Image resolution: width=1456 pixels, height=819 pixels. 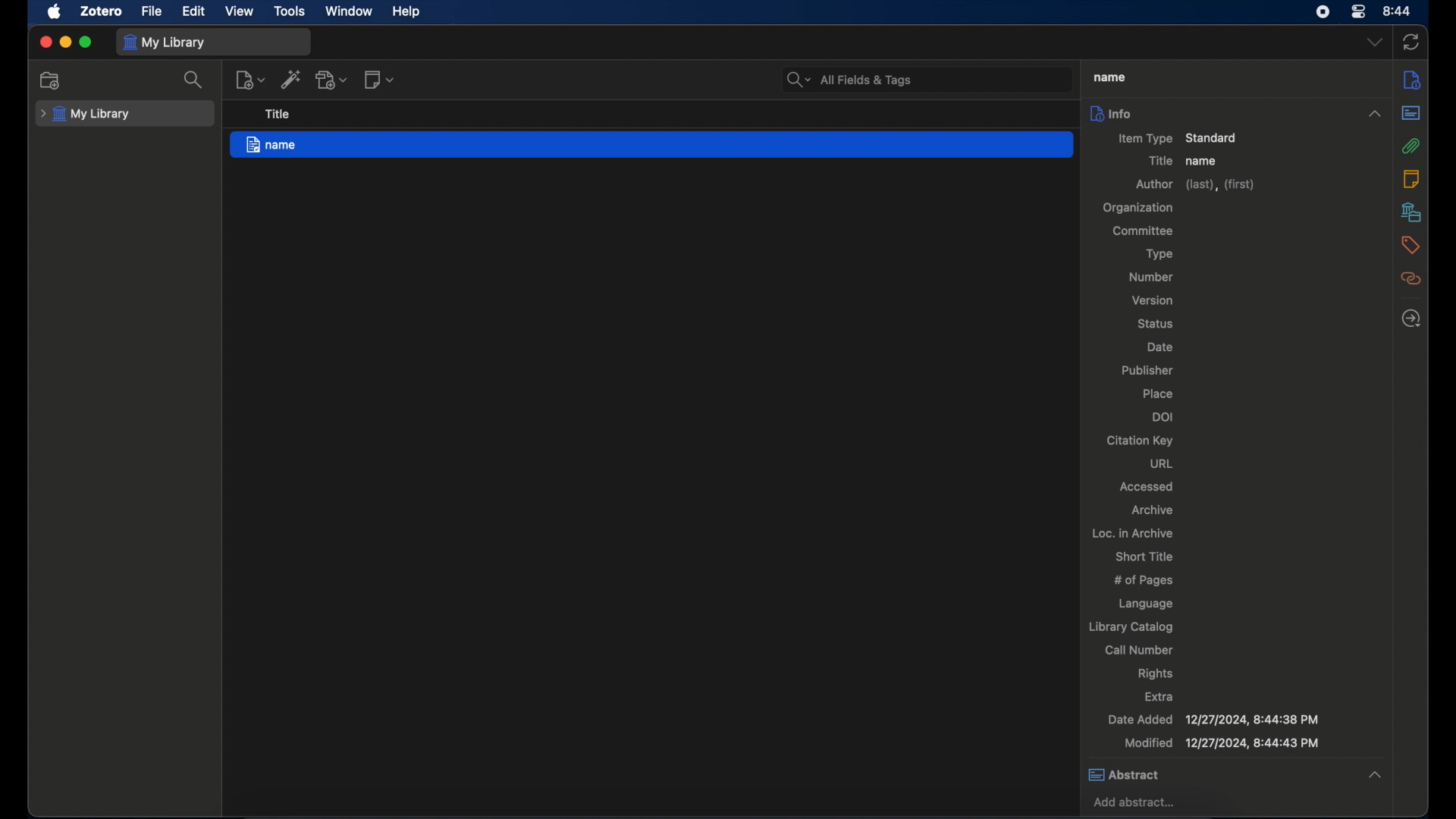 What do you see at coordinates (1147, 486) in the screenshot?
I see `accessed` at bounding box center [1147, 486].